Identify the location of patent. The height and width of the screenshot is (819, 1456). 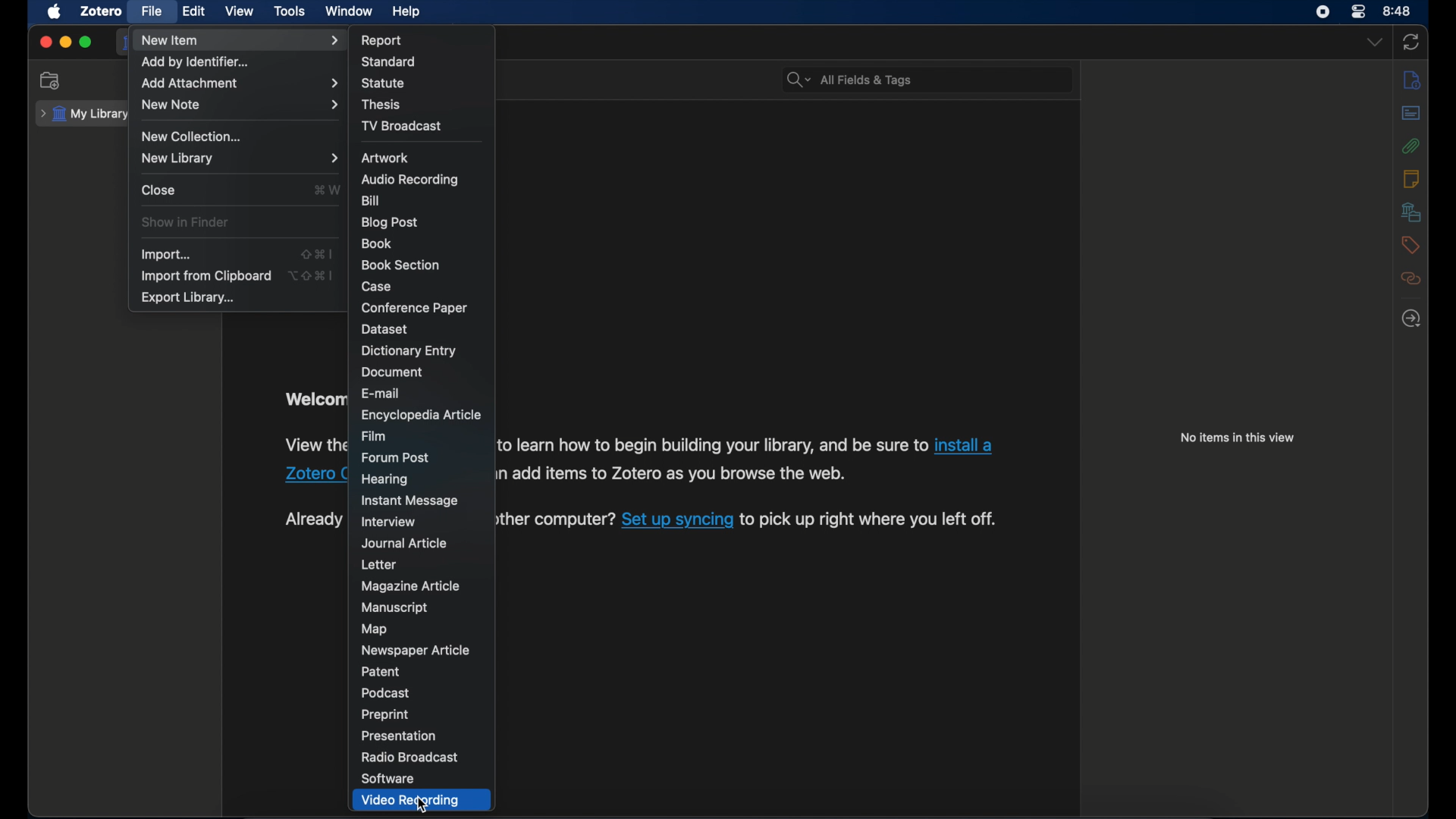
(381, 672).